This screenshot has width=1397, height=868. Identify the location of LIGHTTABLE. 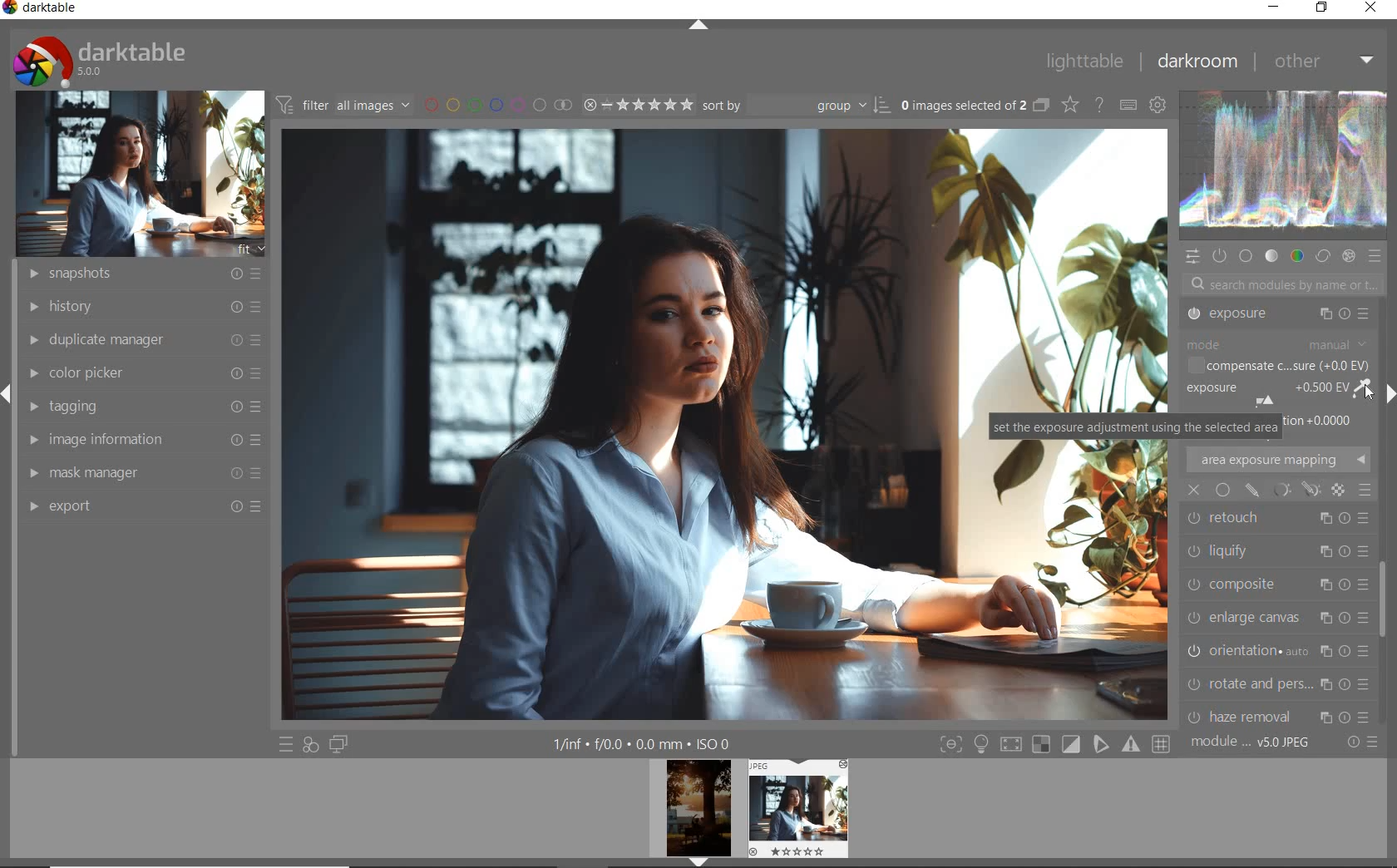
(1085, 62).